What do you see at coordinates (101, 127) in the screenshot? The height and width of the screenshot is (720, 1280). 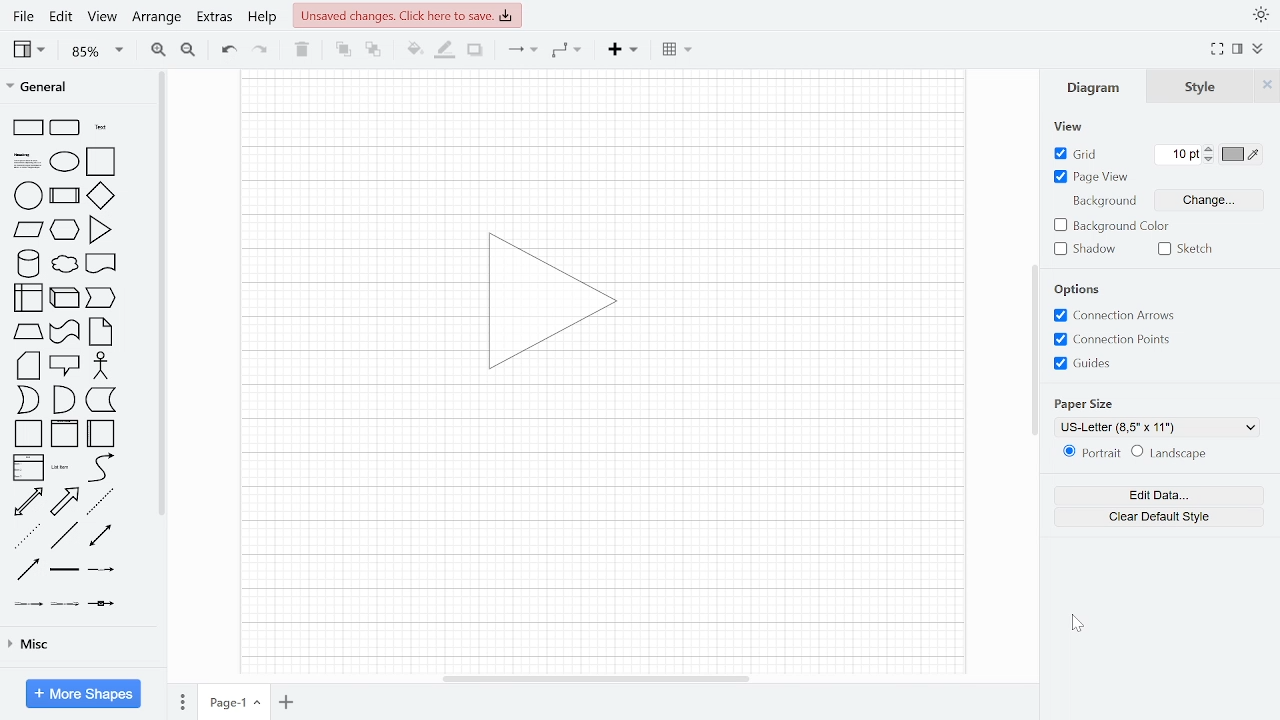 I see `Text` at bounding box center [101, 127].